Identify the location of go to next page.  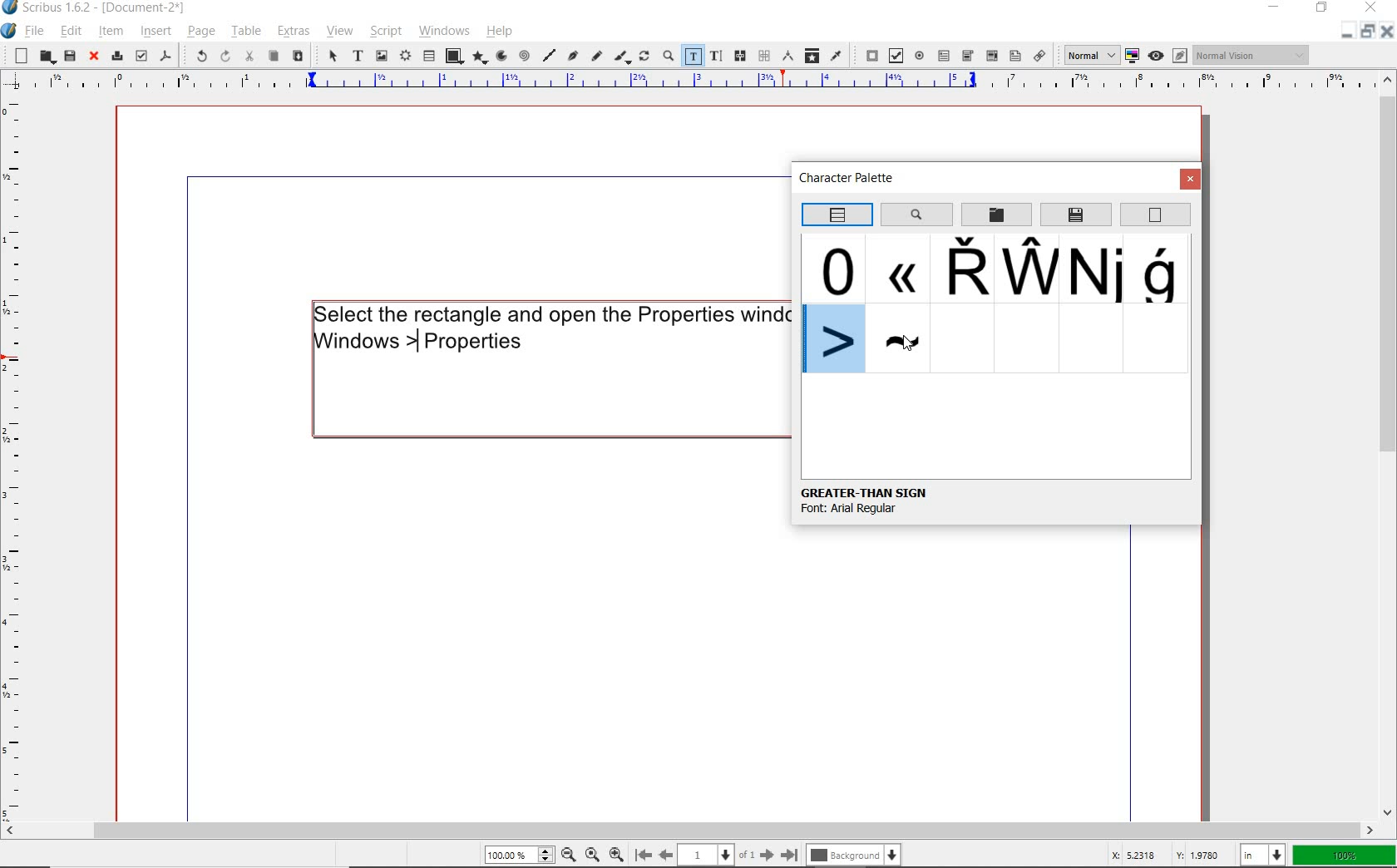
(767, 854).